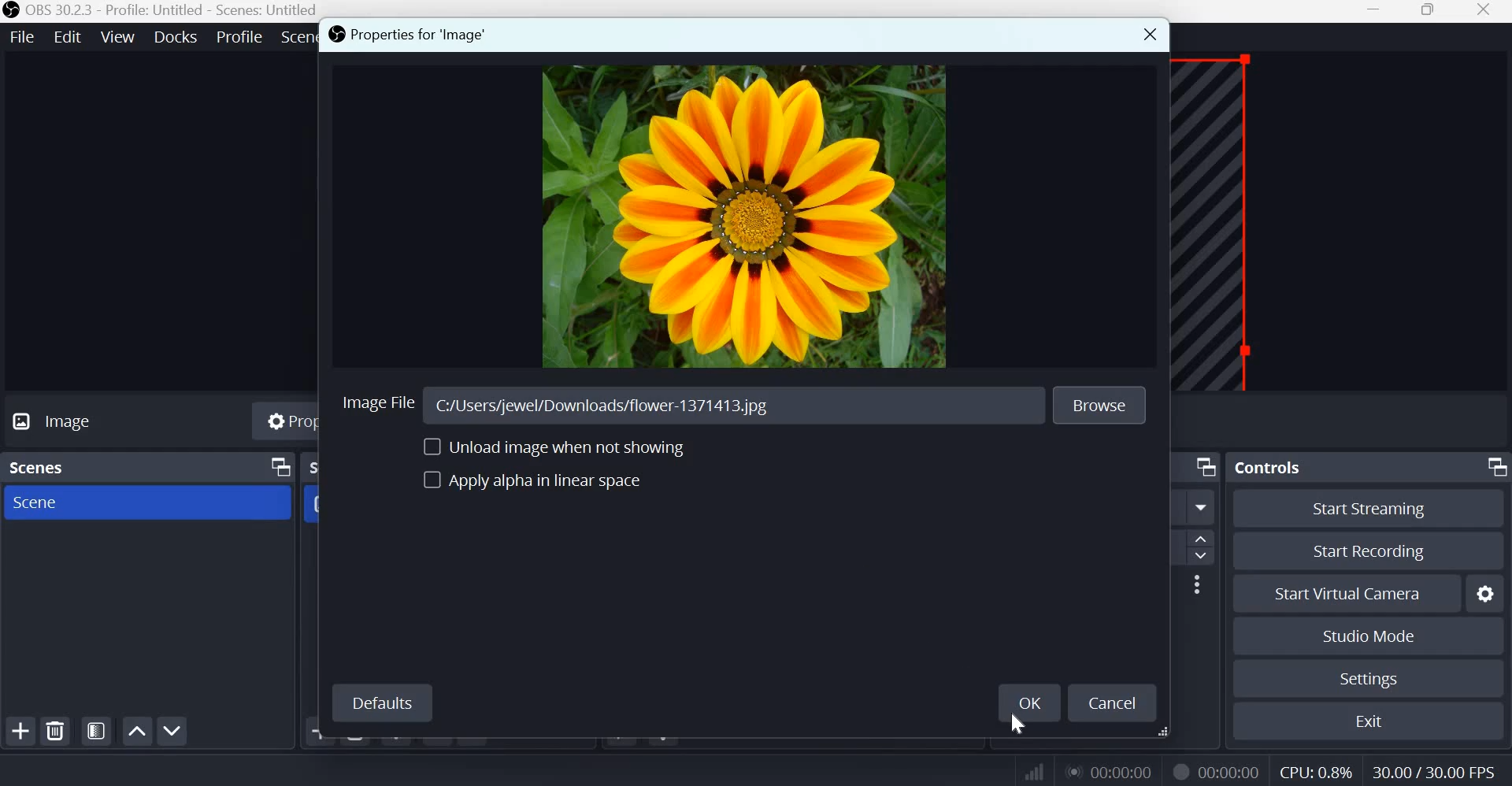  I want to click on ok, so click(1026, 703).